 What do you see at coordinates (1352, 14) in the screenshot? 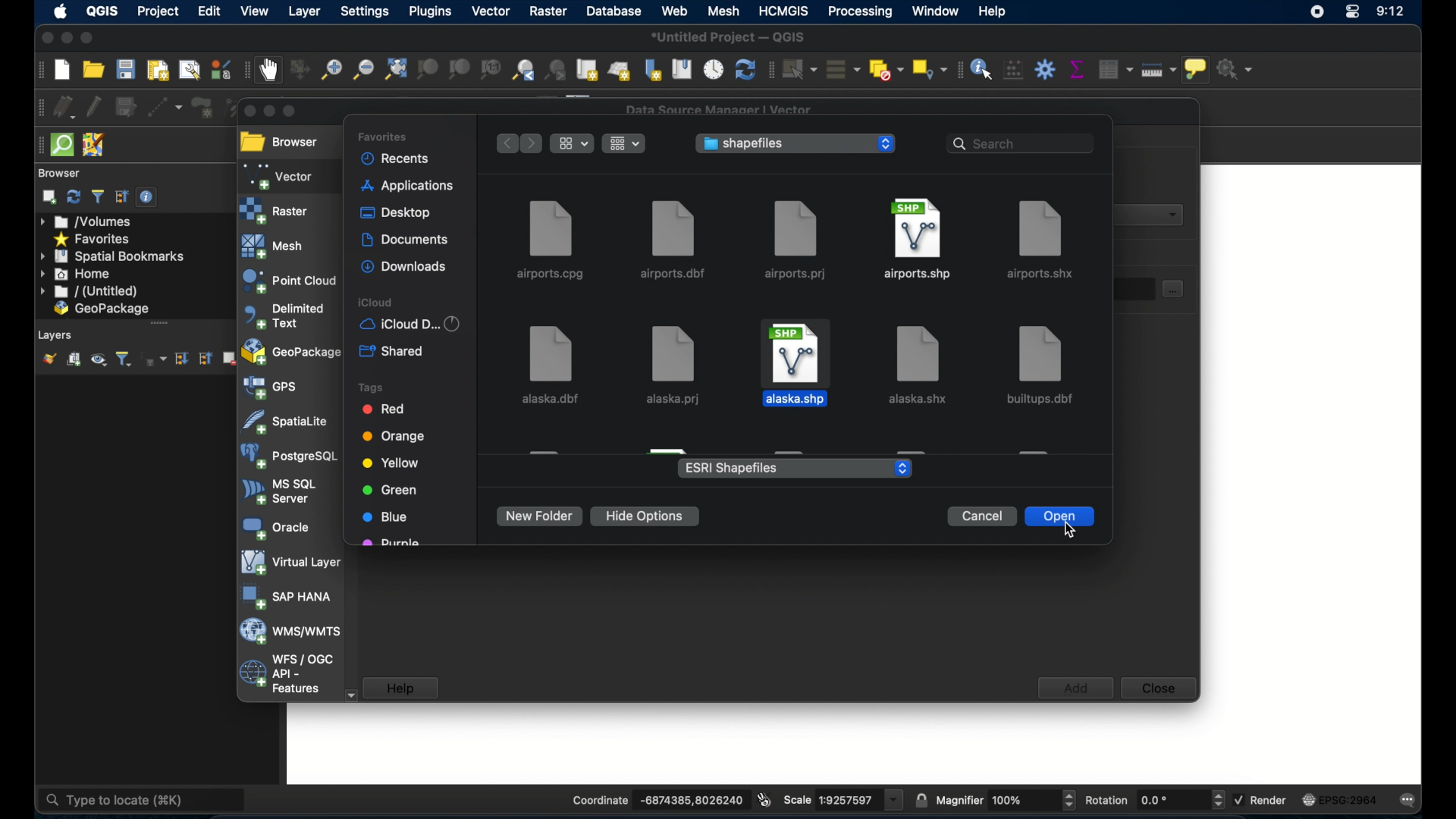
I see `control center` at bounding box center [1352, 14].